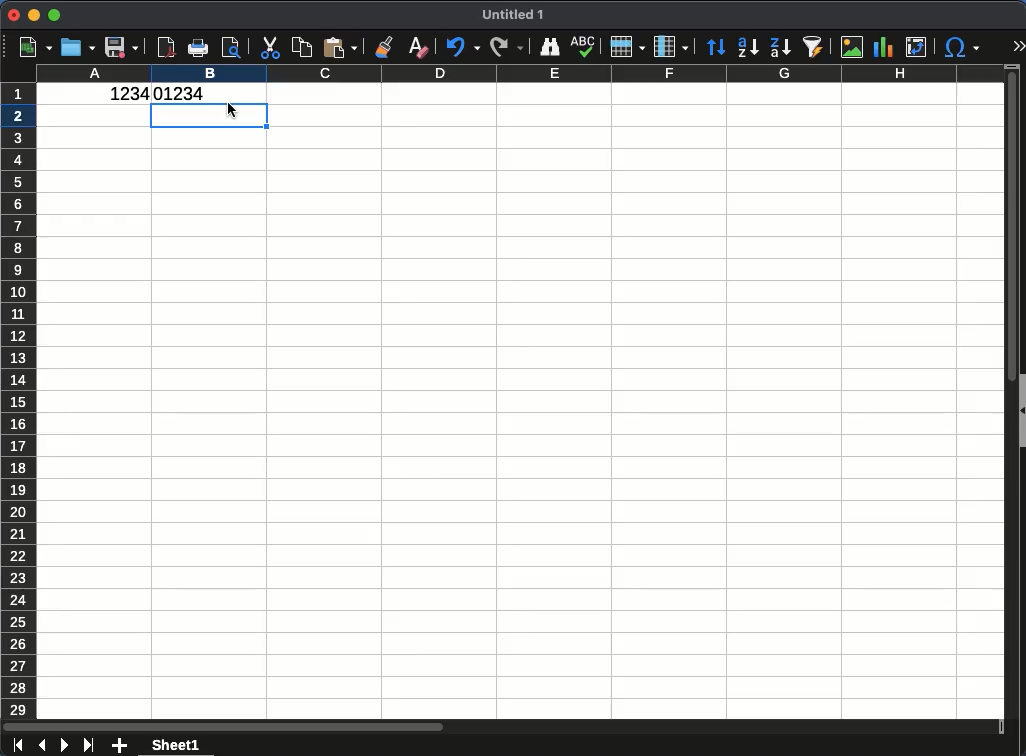 The width and height of the screenshot is (1026, 756). What do you see at coordinates (183, 93) in the screenshot?
I see `01234` at bounding box center [183, 93].